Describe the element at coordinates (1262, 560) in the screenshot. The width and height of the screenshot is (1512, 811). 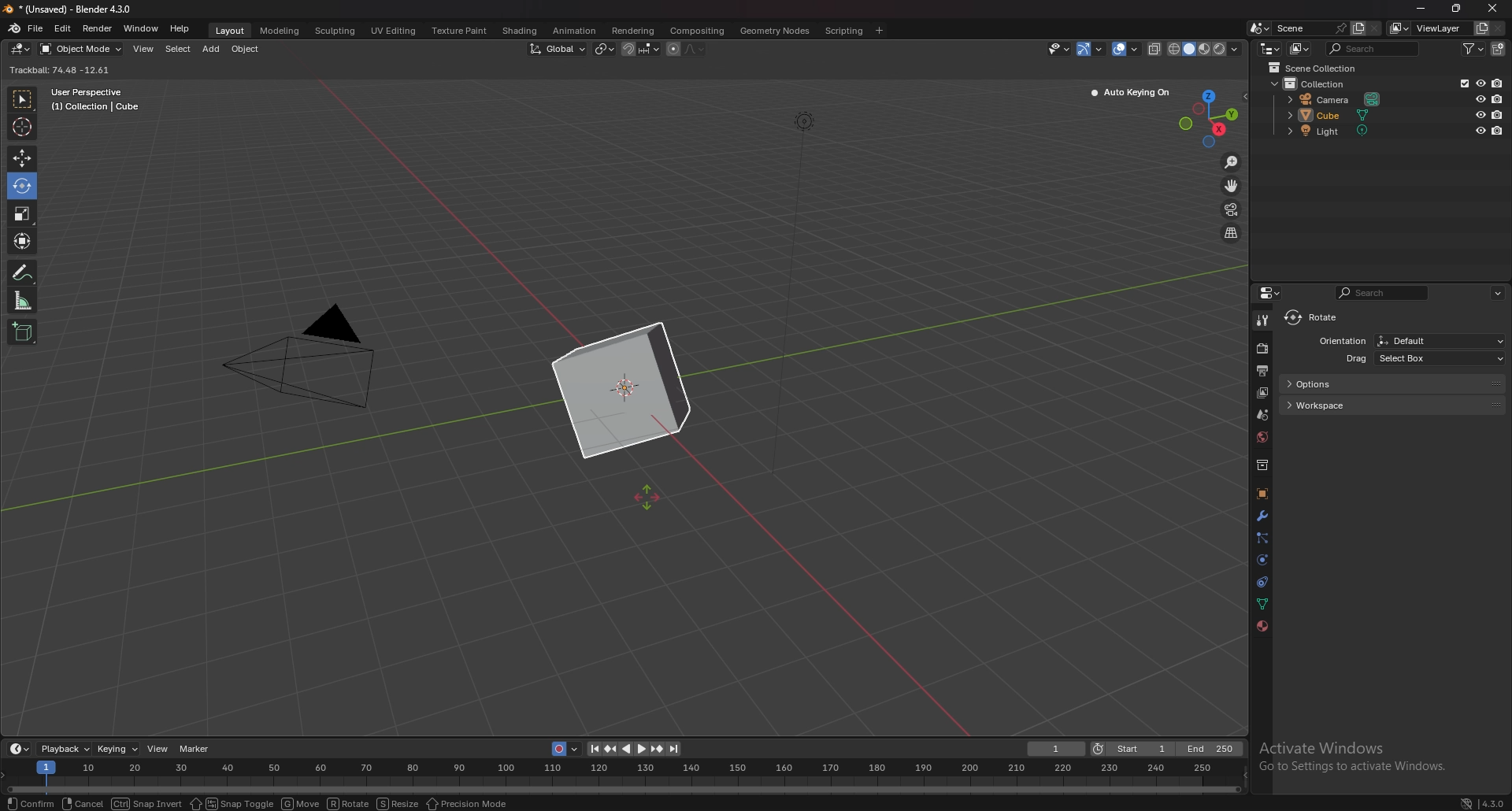
I see `physics` at that location.